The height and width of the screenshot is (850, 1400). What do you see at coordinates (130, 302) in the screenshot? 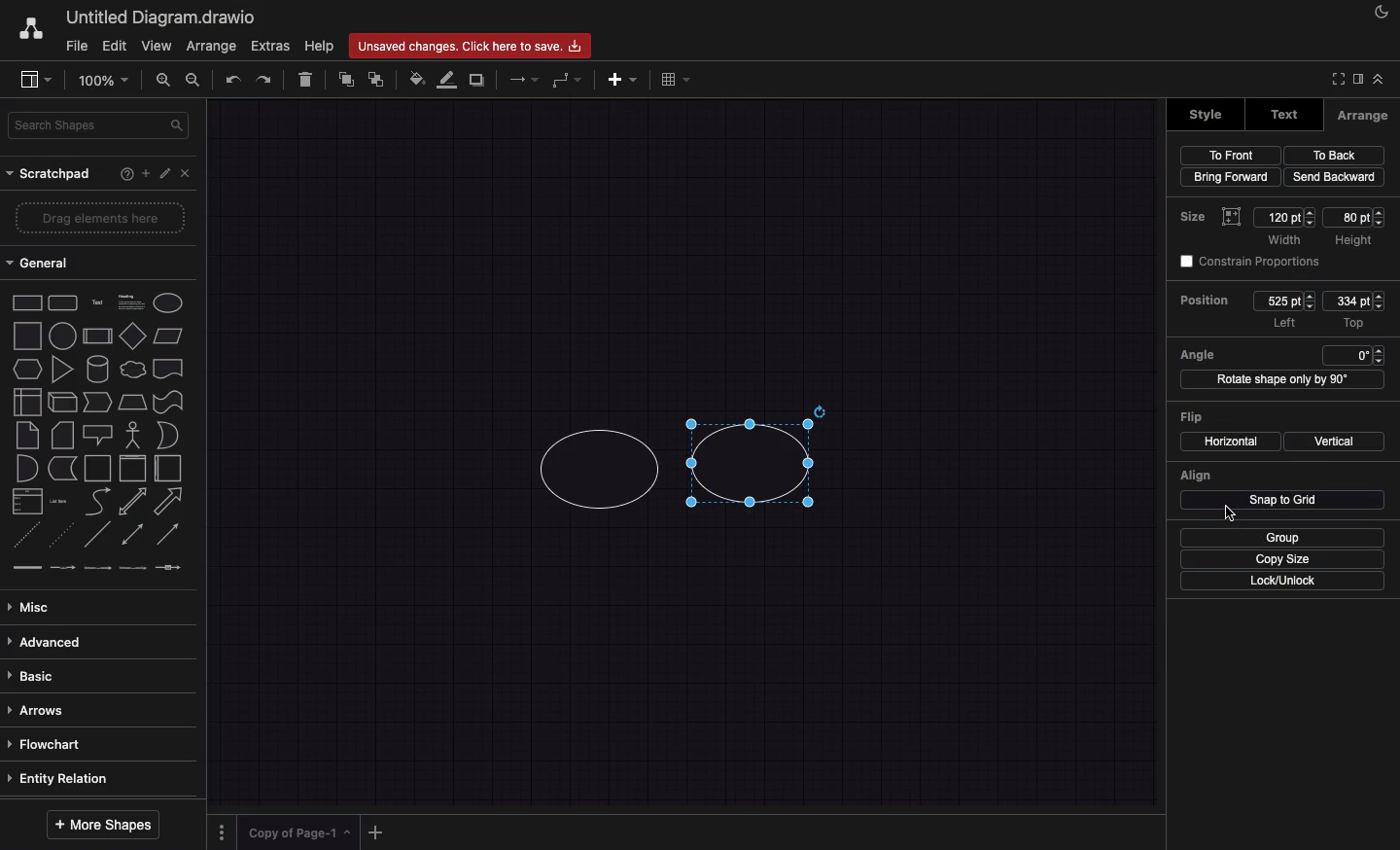
I see `heading` at bounding box center [130, 302].